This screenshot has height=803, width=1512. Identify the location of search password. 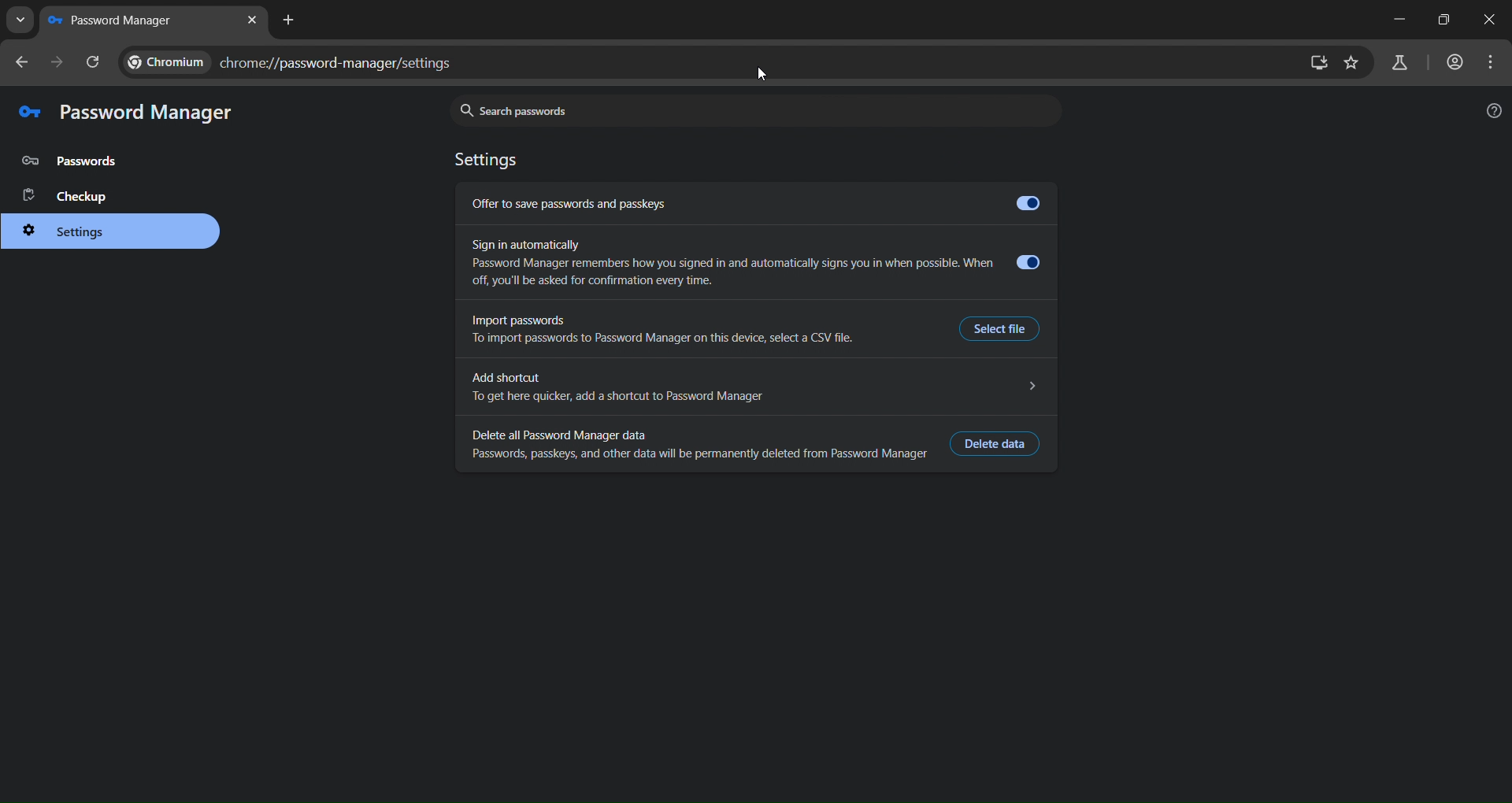
(758, 112).